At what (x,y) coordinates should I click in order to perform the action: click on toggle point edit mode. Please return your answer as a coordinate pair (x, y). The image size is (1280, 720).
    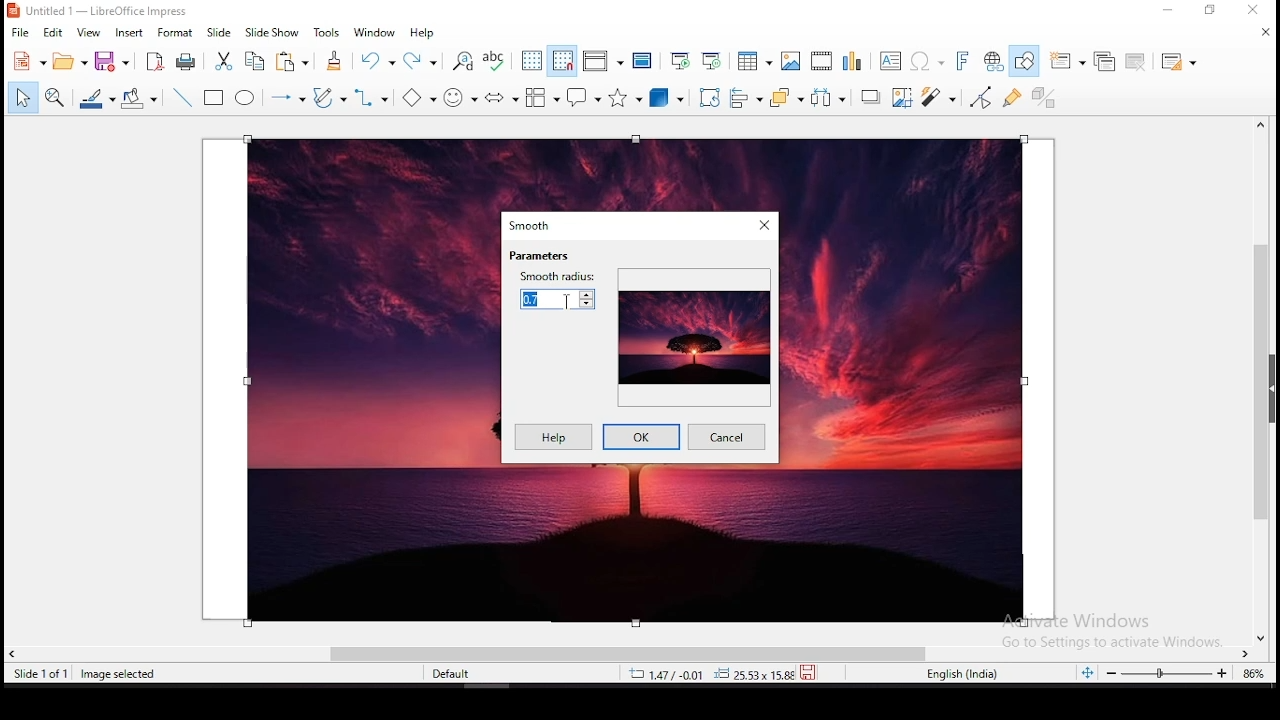
    Looking at the image, I should click on (980, 97).